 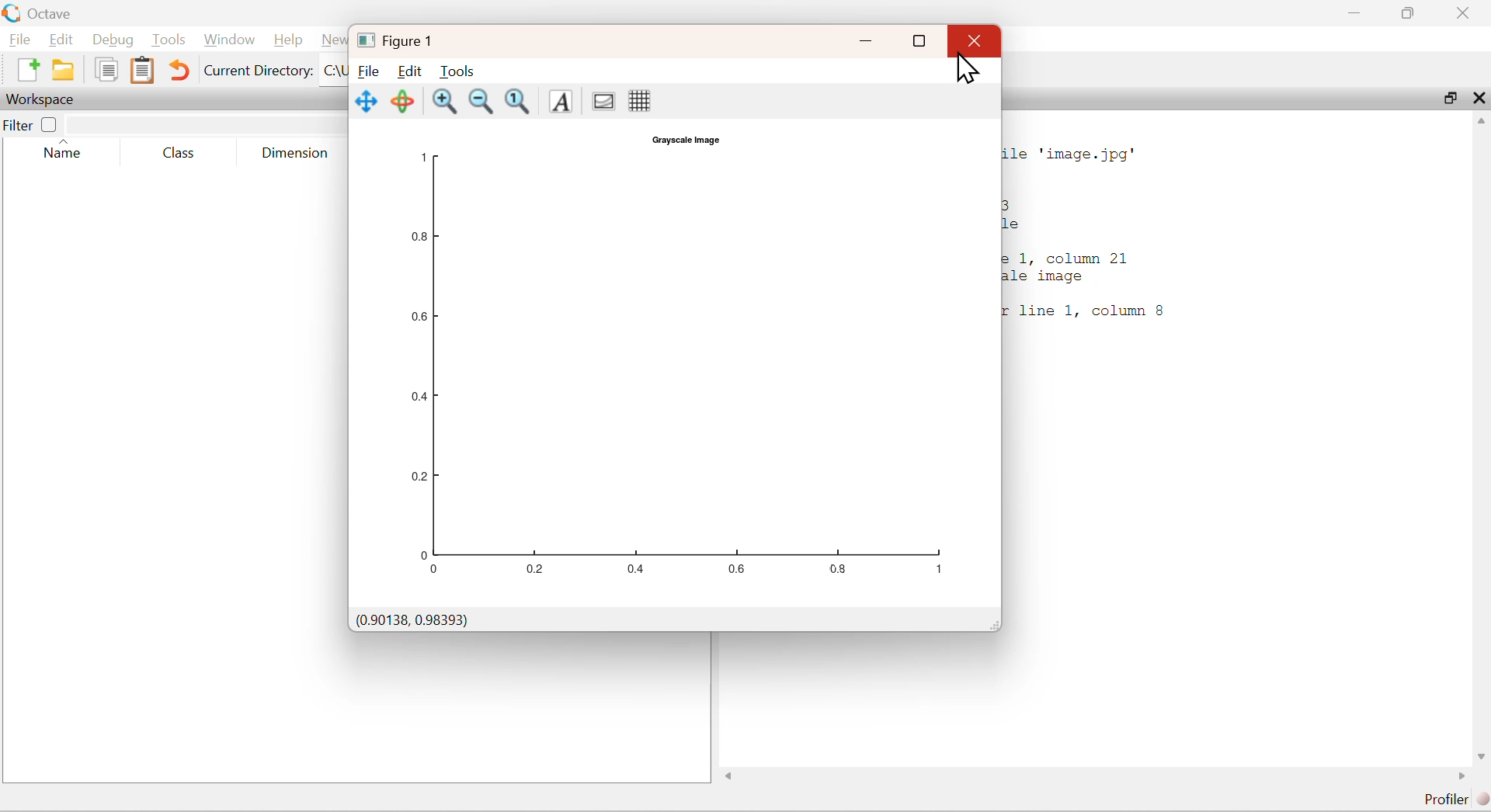 I want to click on undo, so click(x=179, y=69).